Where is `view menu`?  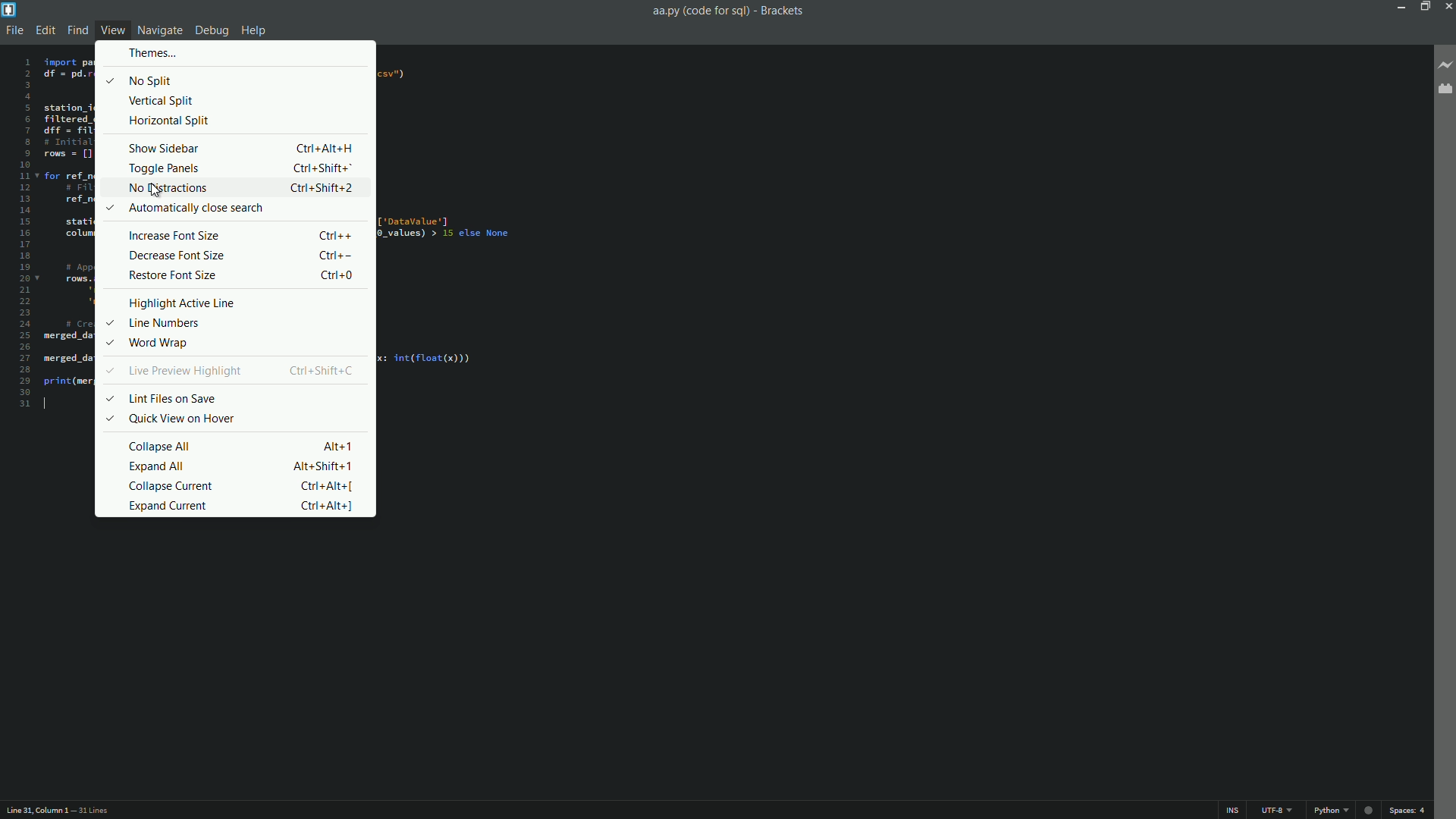 view menu is located at coordinates (111, 29).